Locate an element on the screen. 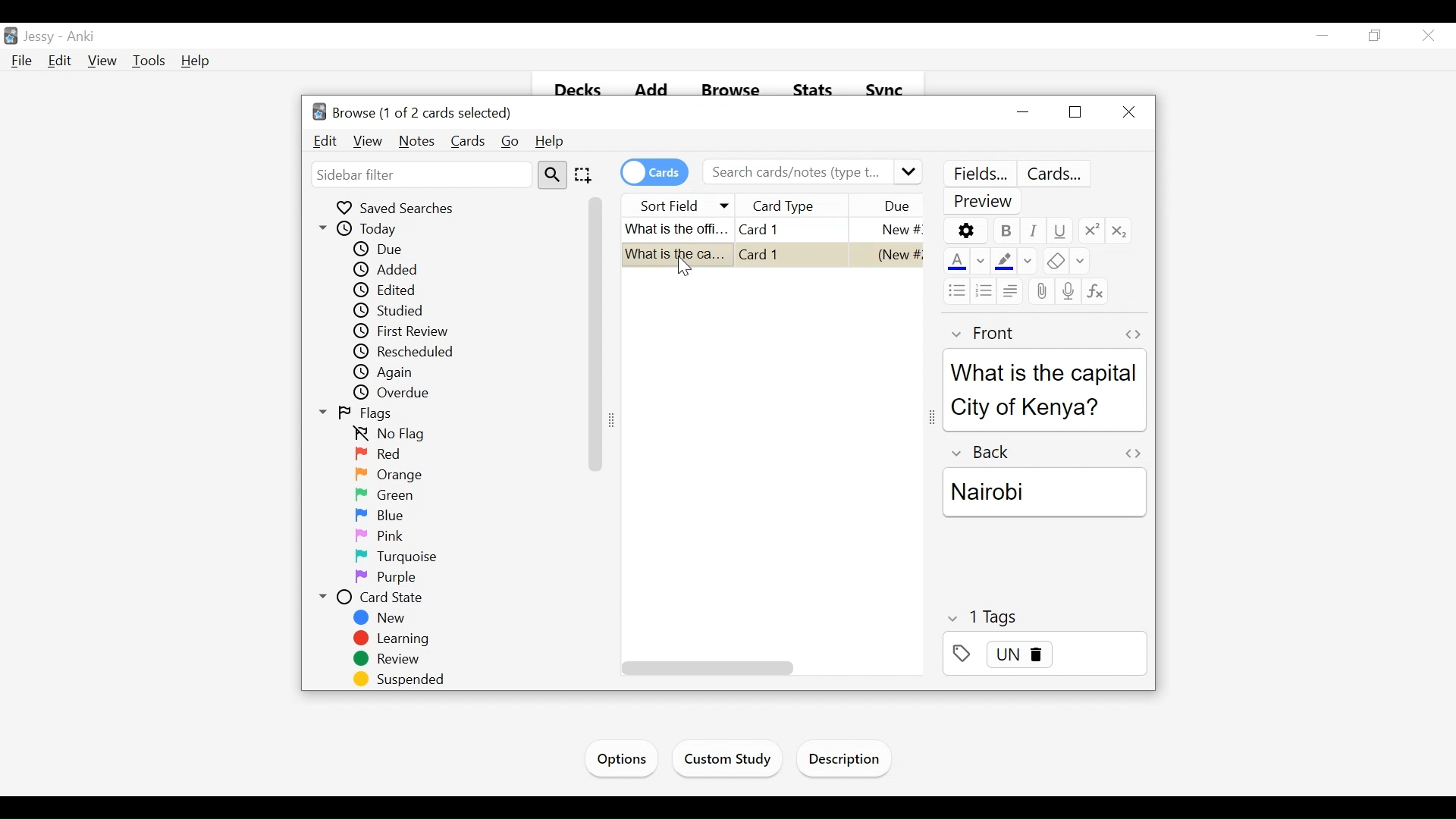 The height and width of the screenshot is (819, 1456). Tools is located at coordinates (151, 61).